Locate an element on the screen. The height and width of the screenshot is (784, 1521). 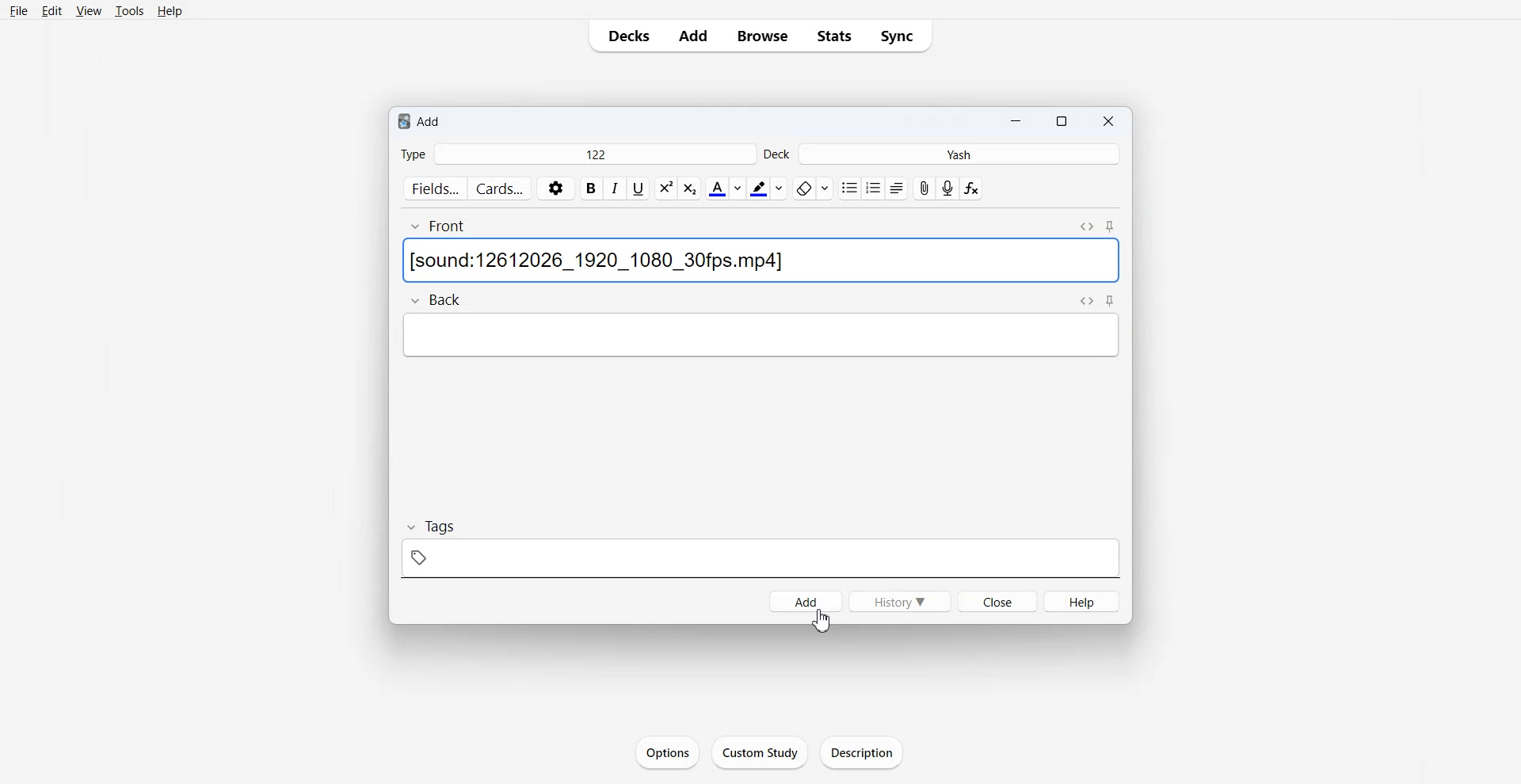
Cards is located at coordinates (501, 188).